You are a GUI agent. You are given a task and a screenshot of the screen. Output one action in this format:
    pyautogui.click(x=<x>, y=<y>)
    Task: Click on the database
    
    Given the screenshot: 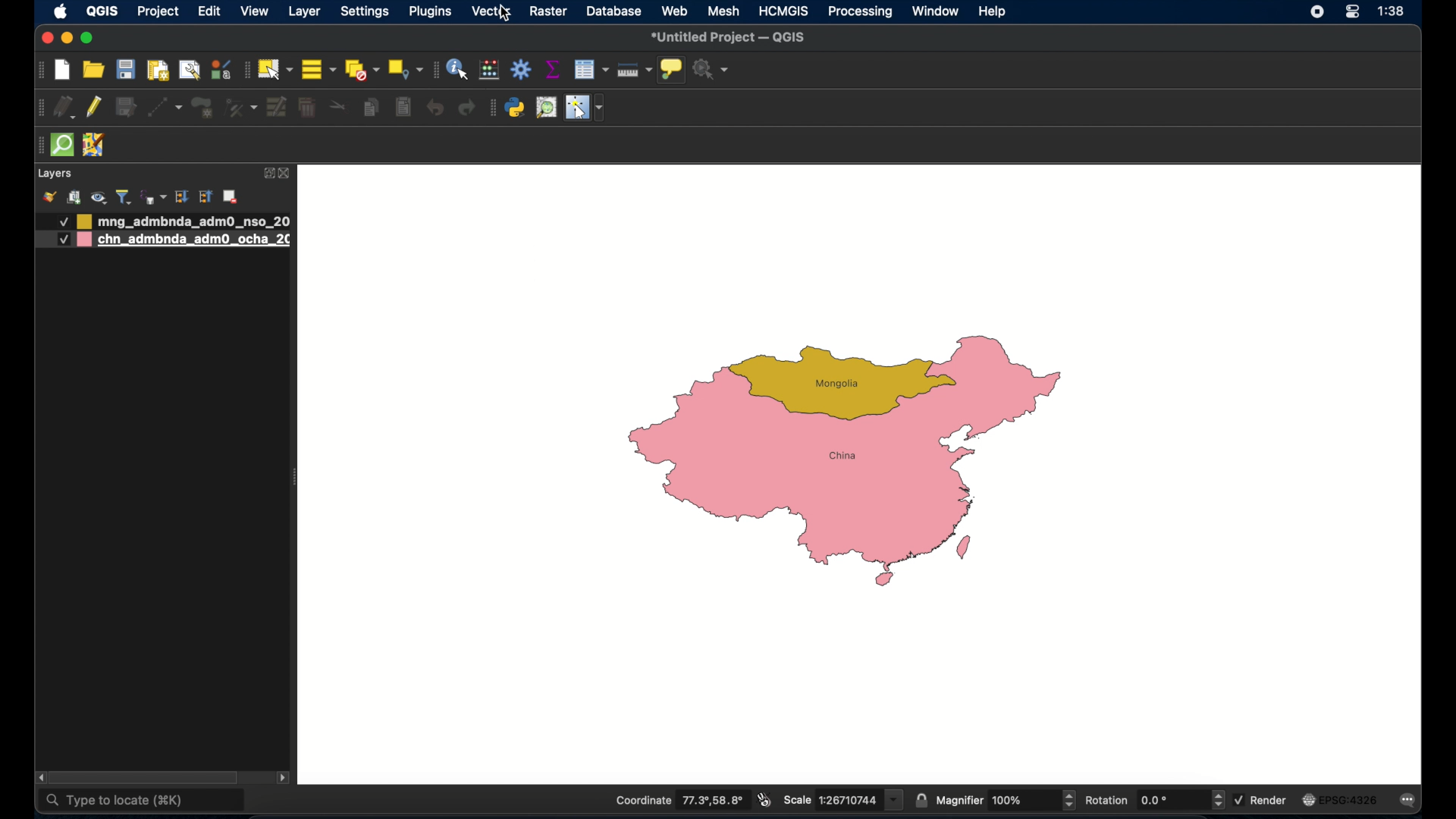 What is the action you would take?
    pyautogui.click(x=615, y=12)
    